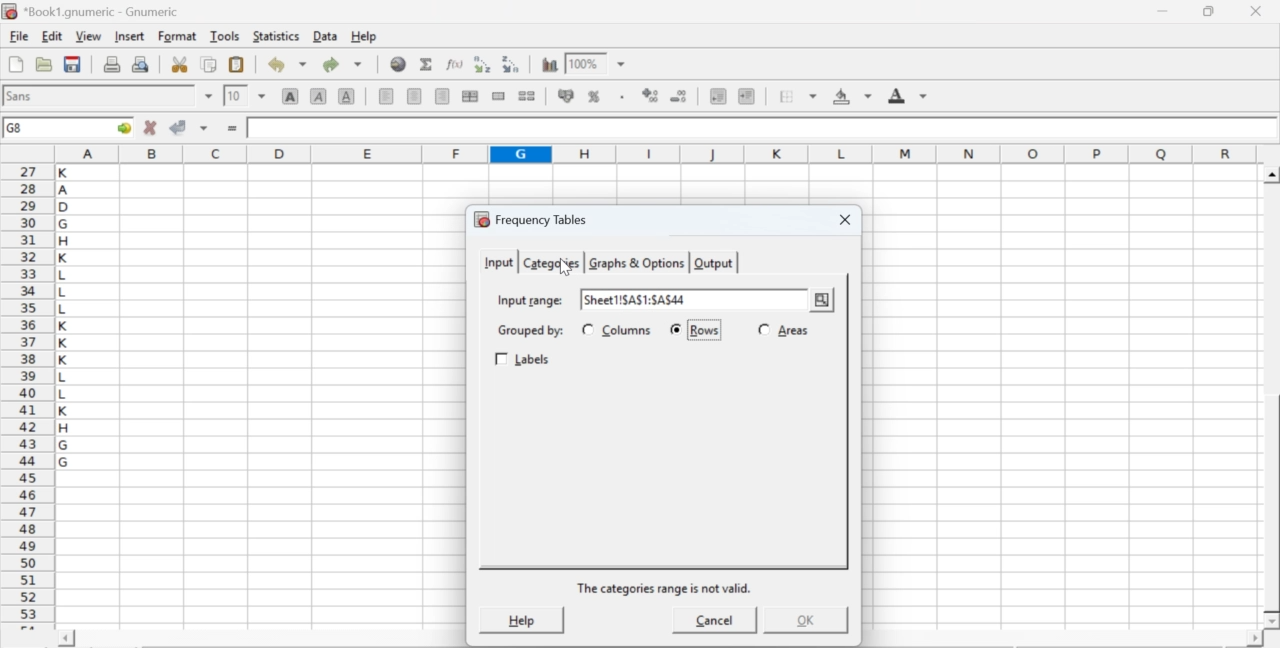  Describe the element at coordinates (112, 63) in the screenshot. I see `print` at that location.